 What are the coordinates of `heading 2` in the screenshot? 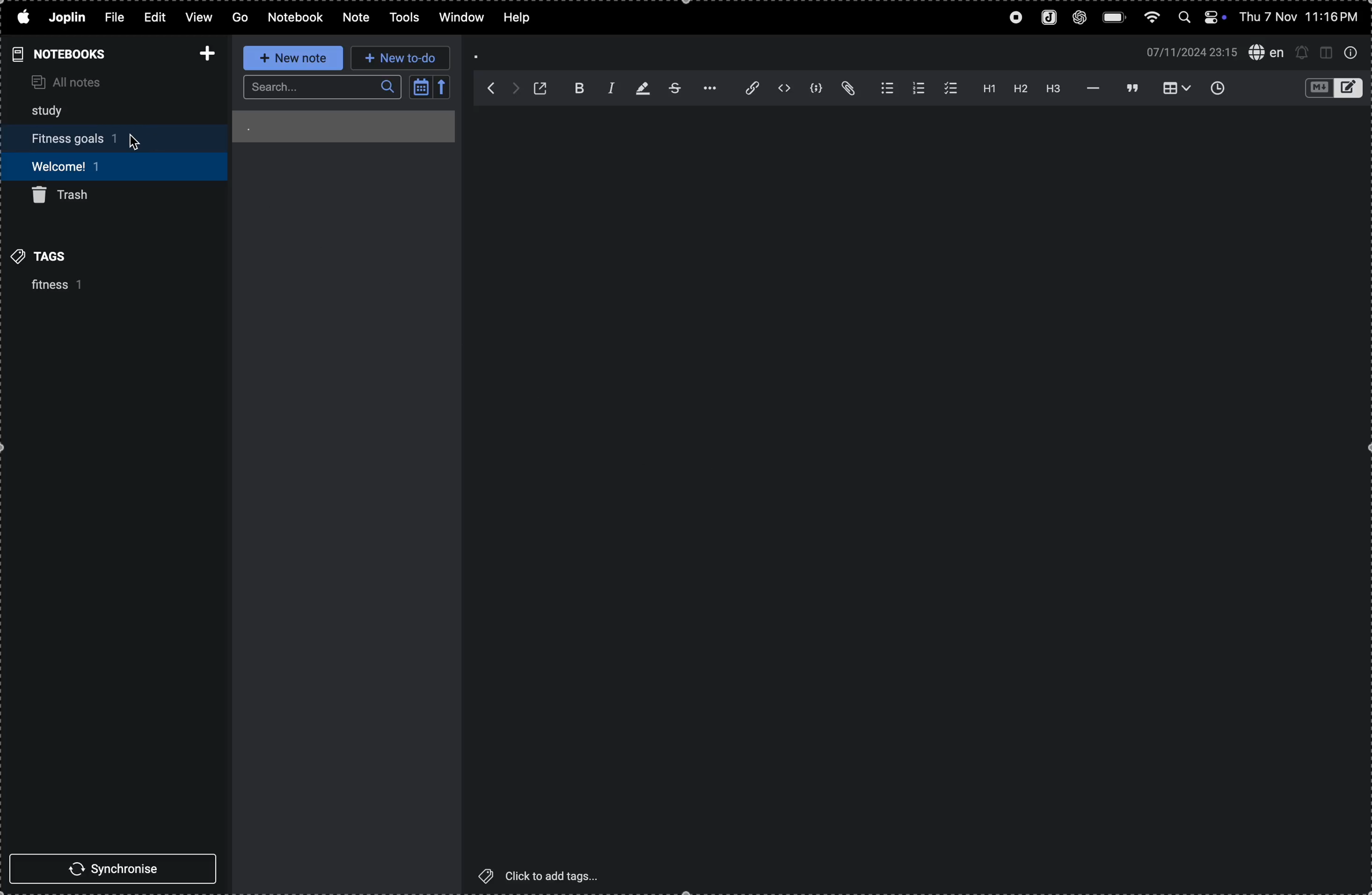 It's located at (1017, 88).